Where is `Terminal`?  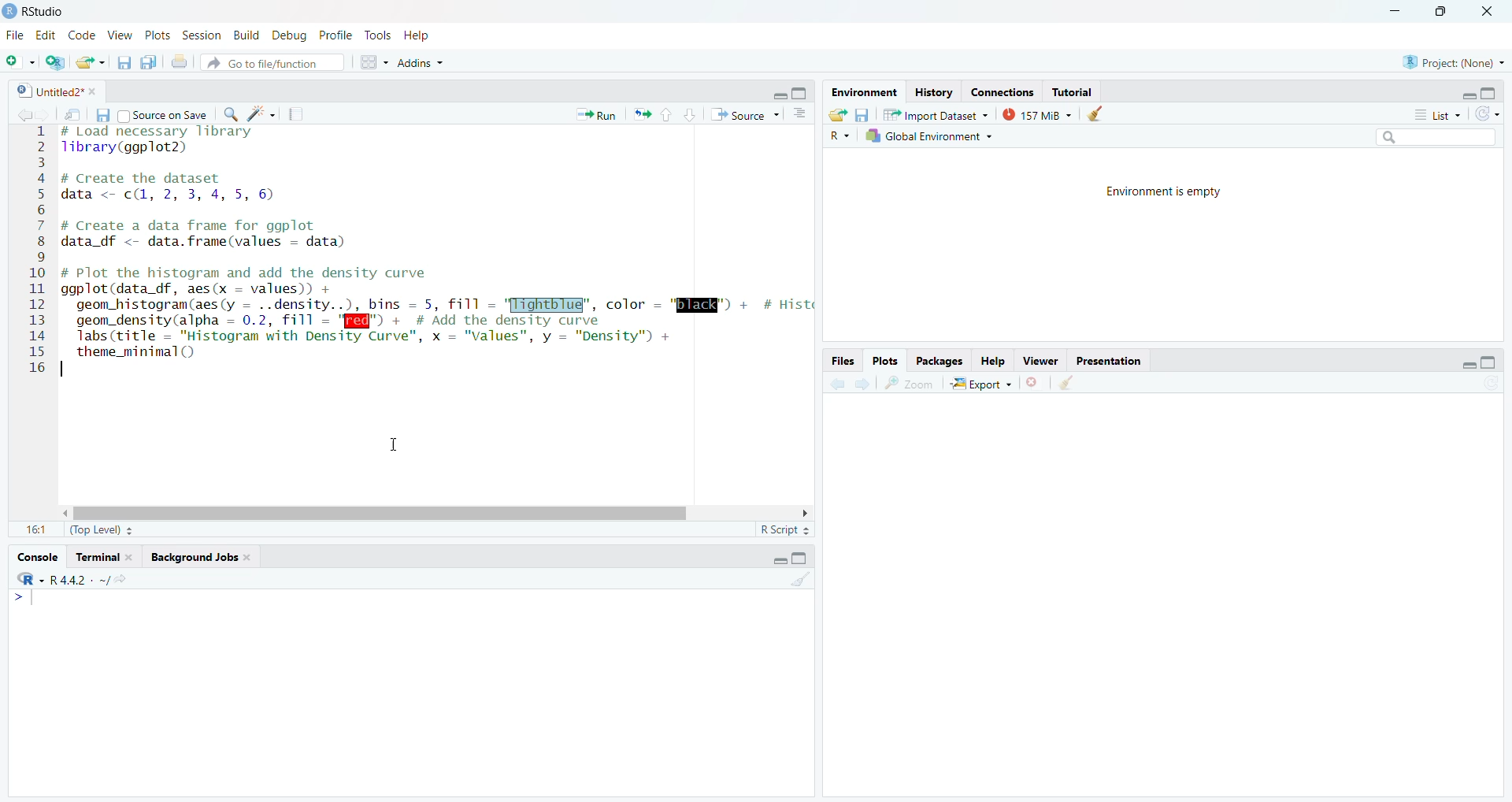
Terminal is located at coordinates (96, 555).